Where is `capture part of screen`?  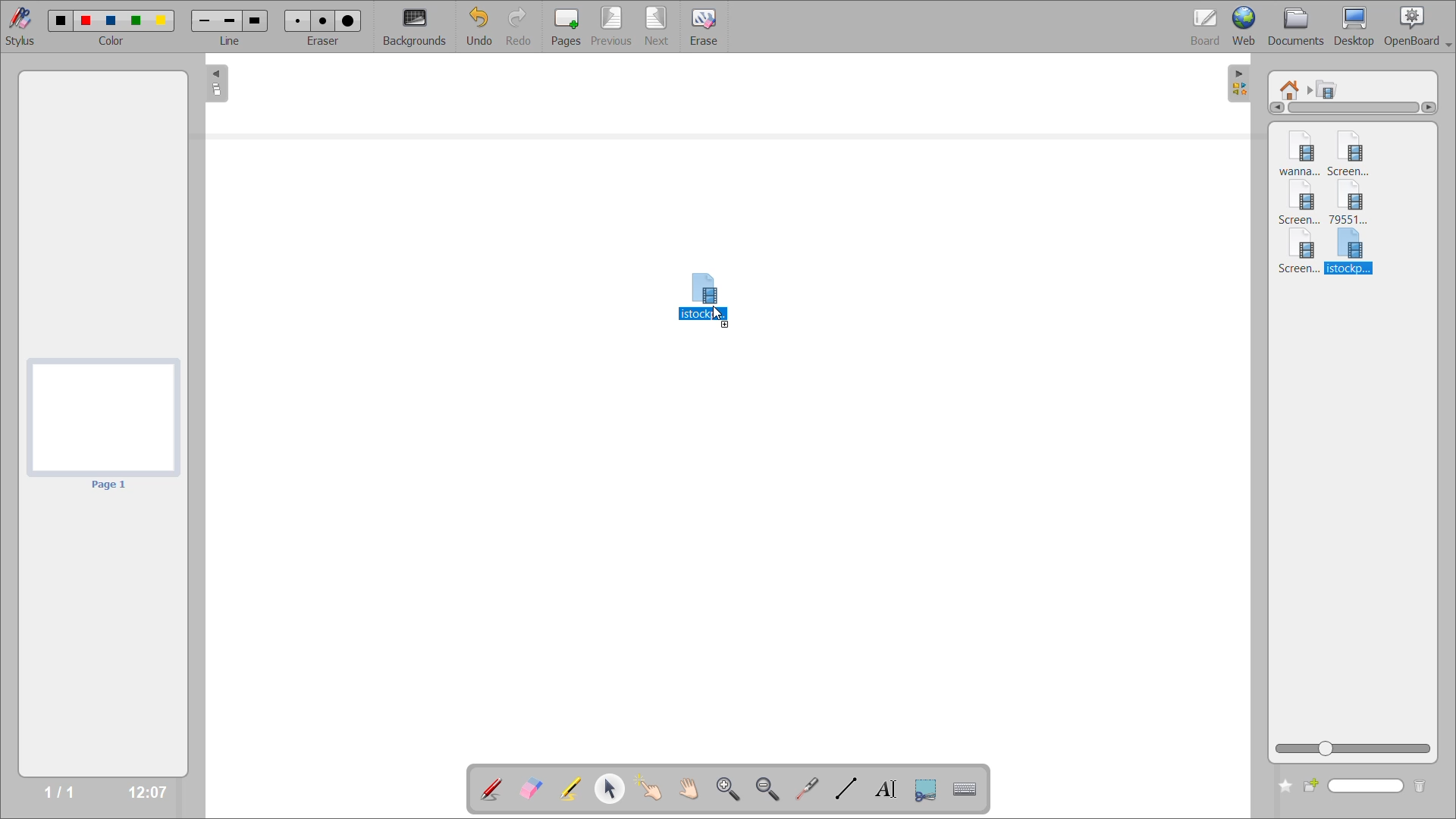 capture part of screen is located at coordinates (927, 789).